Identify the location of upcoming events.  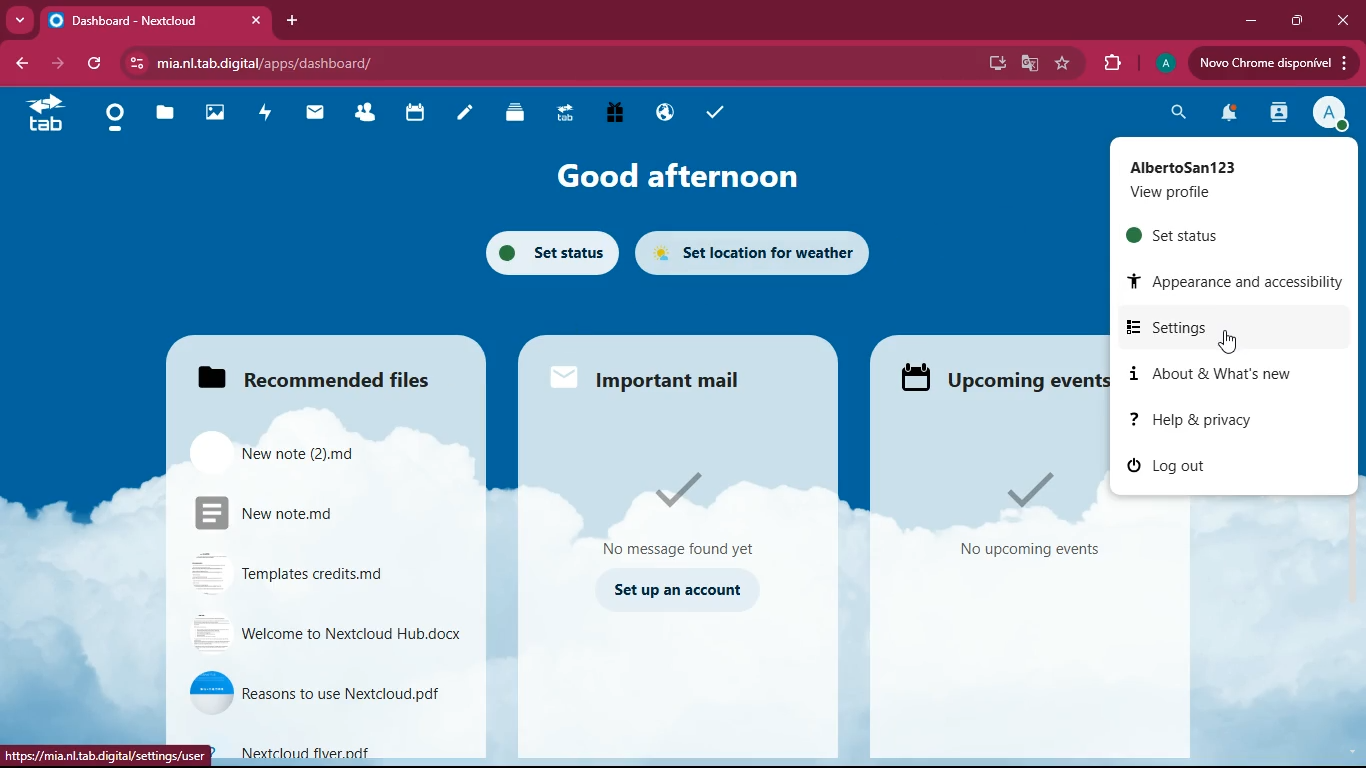
(997, 374).